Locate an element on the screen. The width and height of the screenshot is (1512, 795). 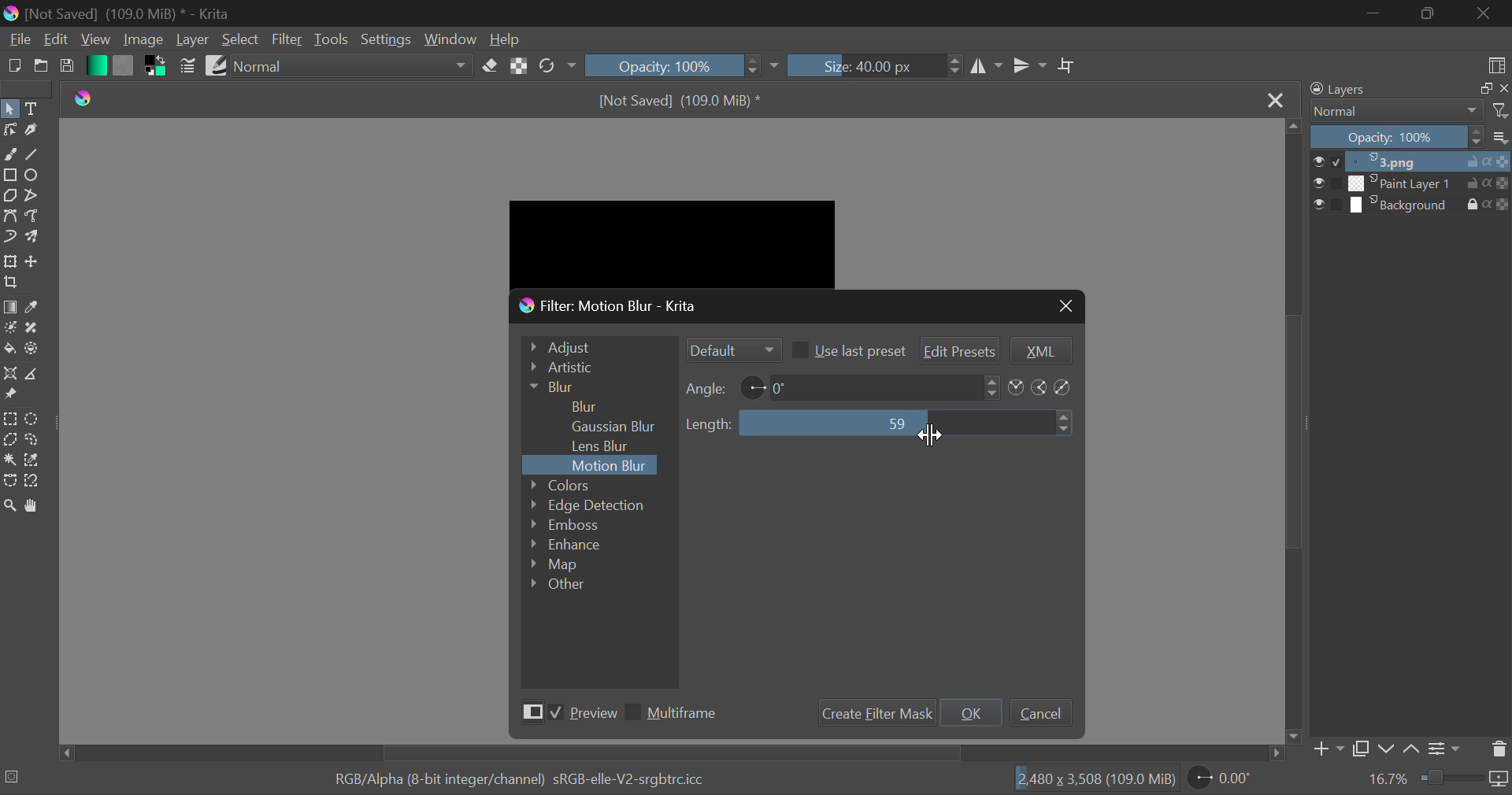
Text is located at coordinates (35, 107).